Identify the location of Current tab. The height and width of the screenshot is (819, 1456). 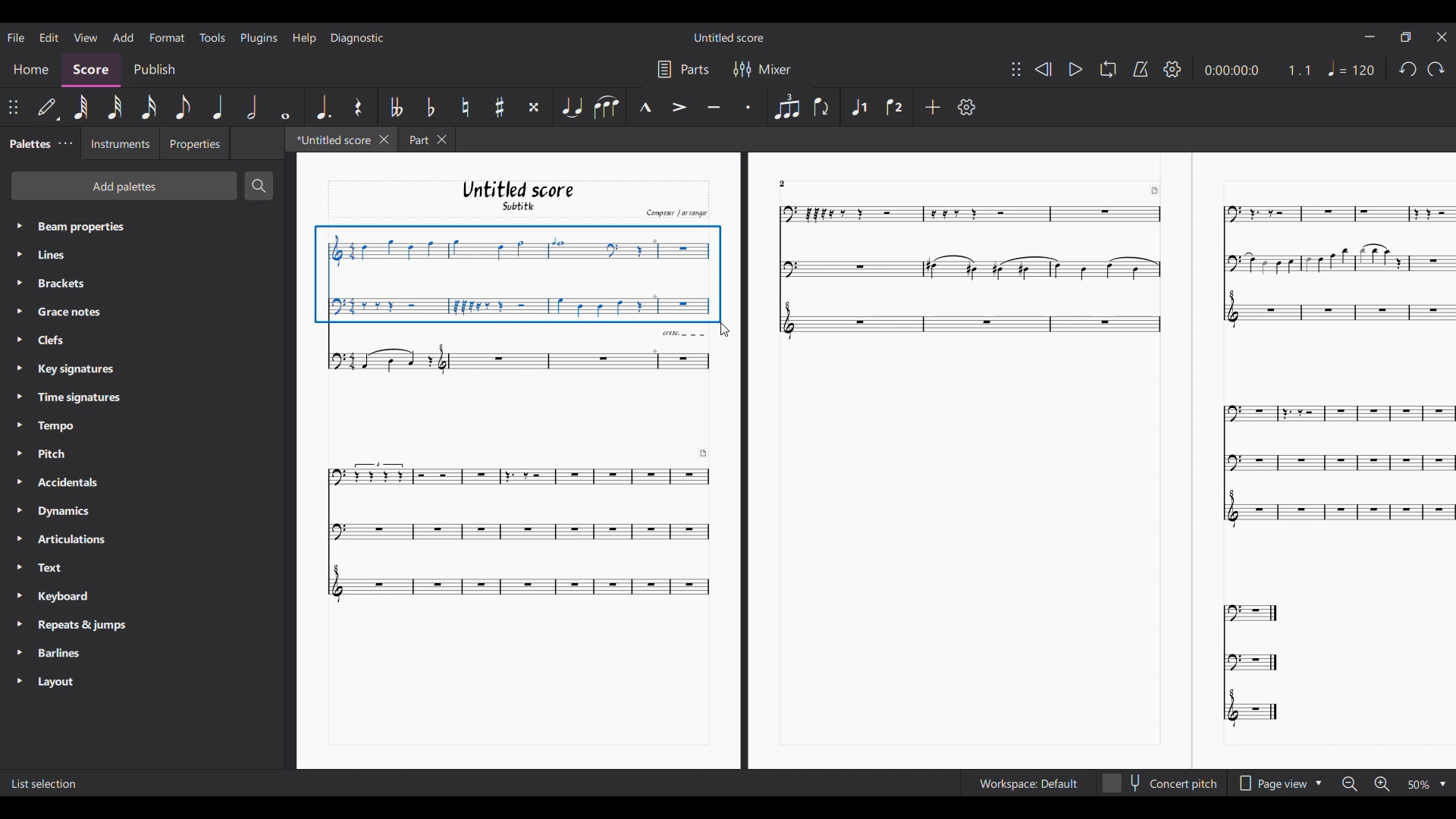
(331, 139).